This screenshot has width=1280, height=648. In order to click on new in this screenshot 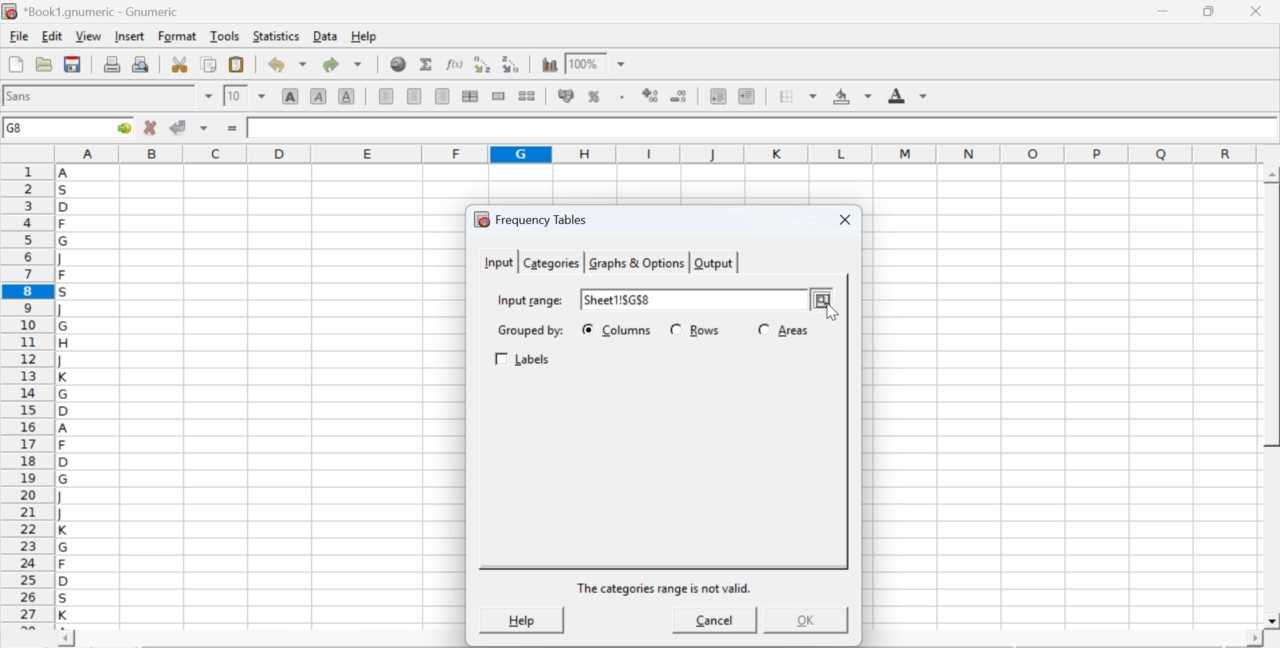, I will do `click(15, 64)`.